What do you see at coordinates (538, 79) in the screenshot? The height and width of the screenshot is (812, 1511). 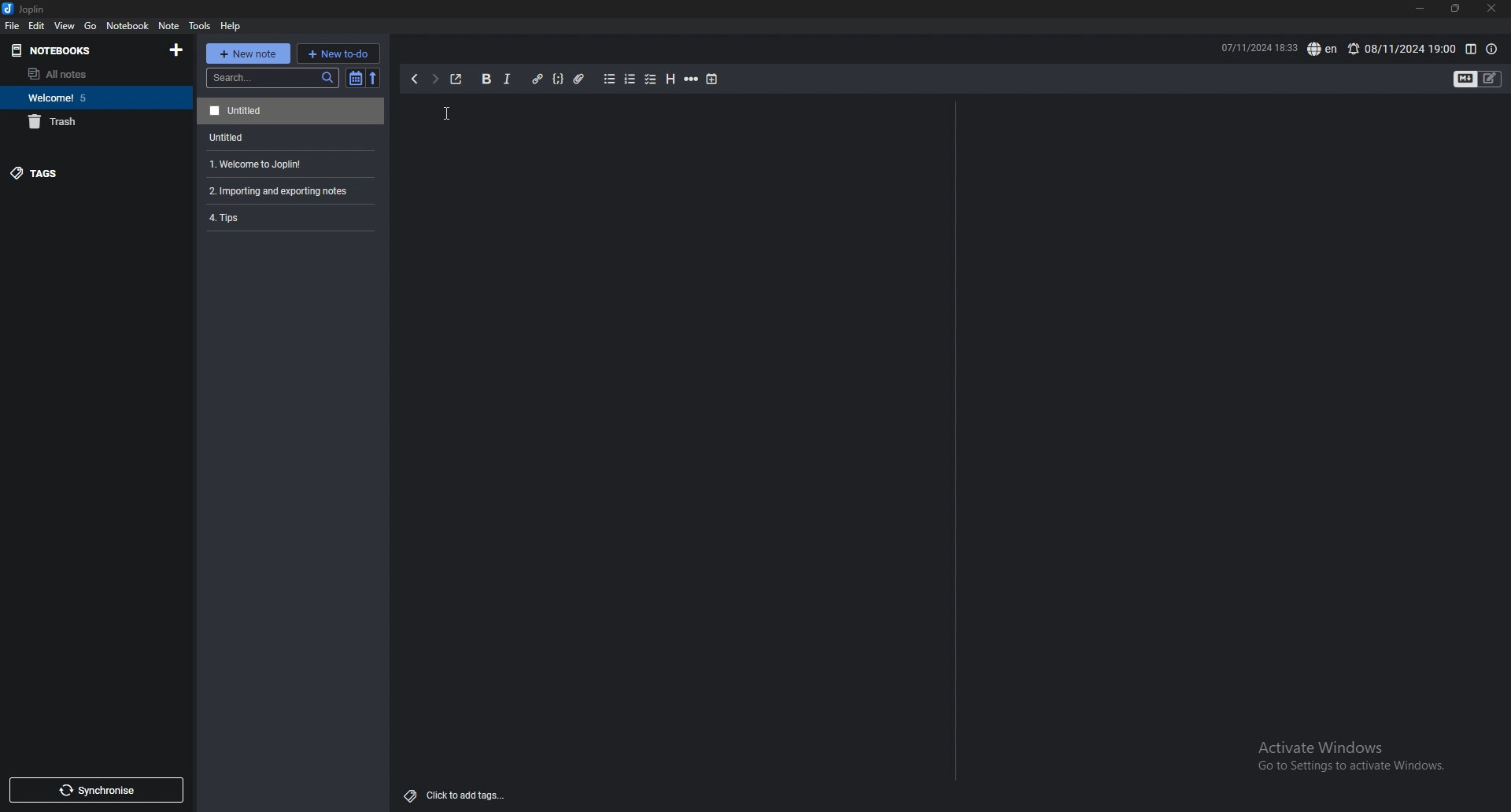 I see `hyperlink` at bounding box center [538, 79].